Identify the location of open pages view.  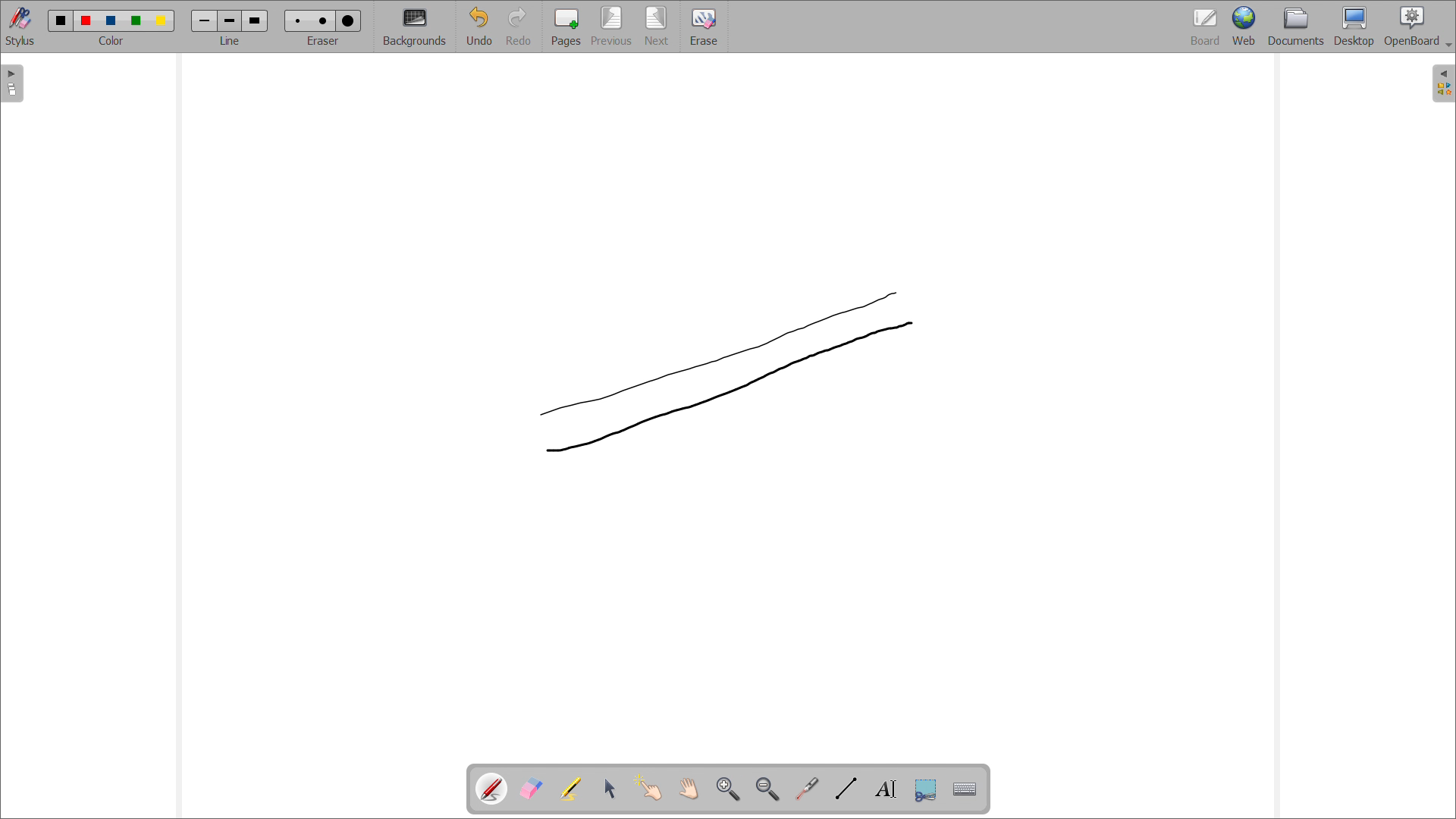
(13, 83).